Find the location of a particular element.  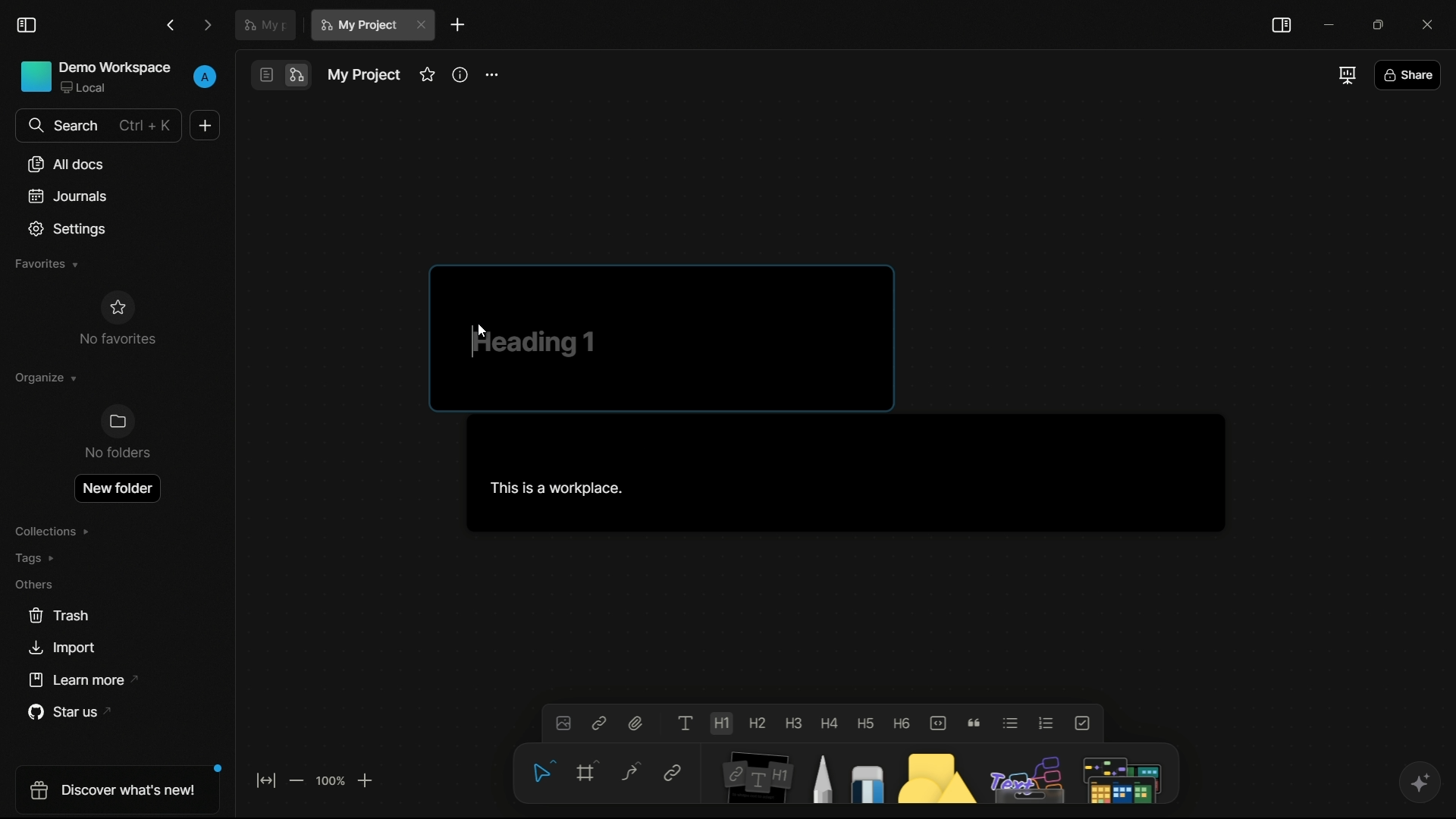

favorites is located at coordinates (47, 262).